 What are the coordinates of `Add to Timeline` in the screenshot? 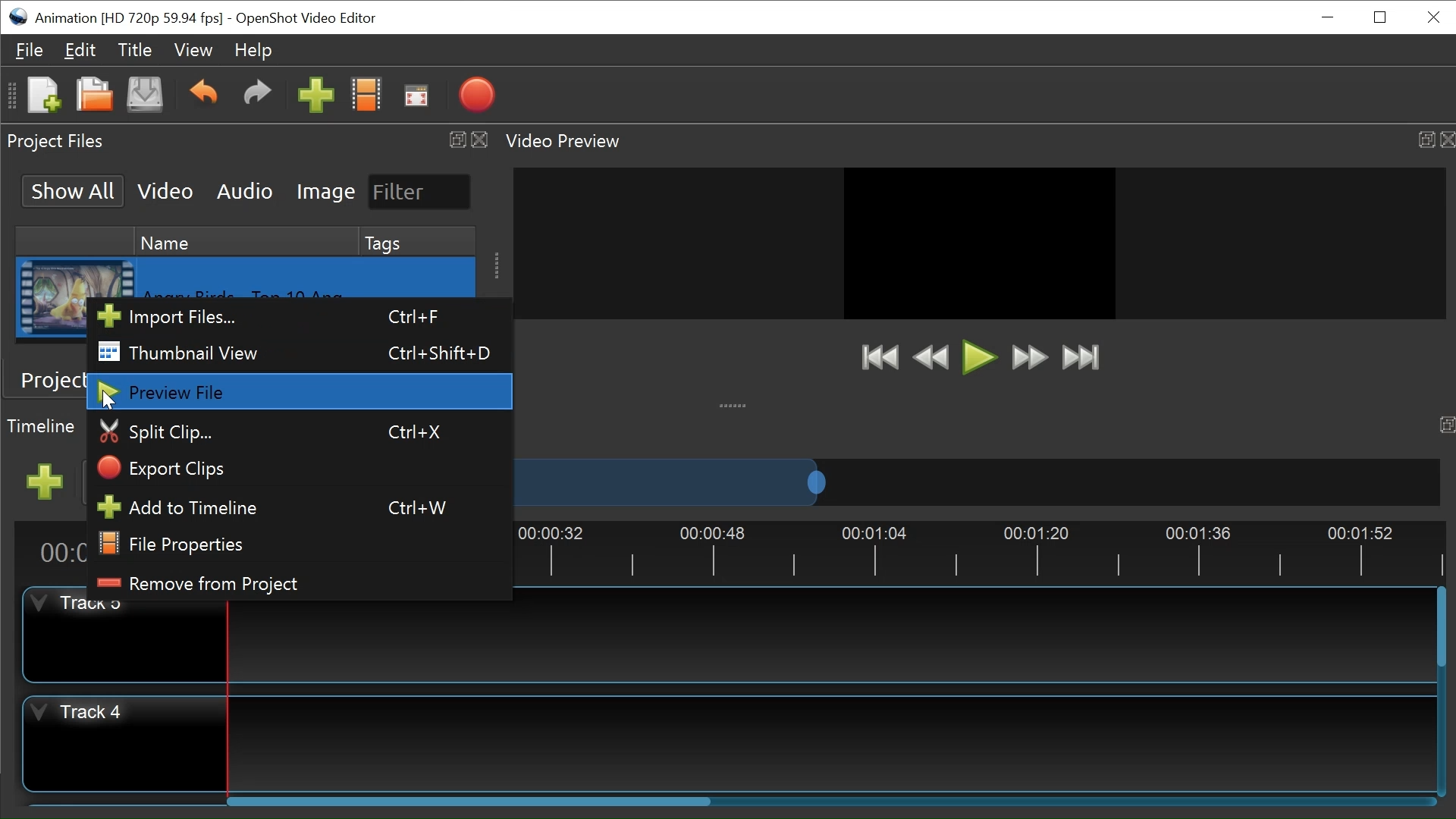 It's located at (300, 508).